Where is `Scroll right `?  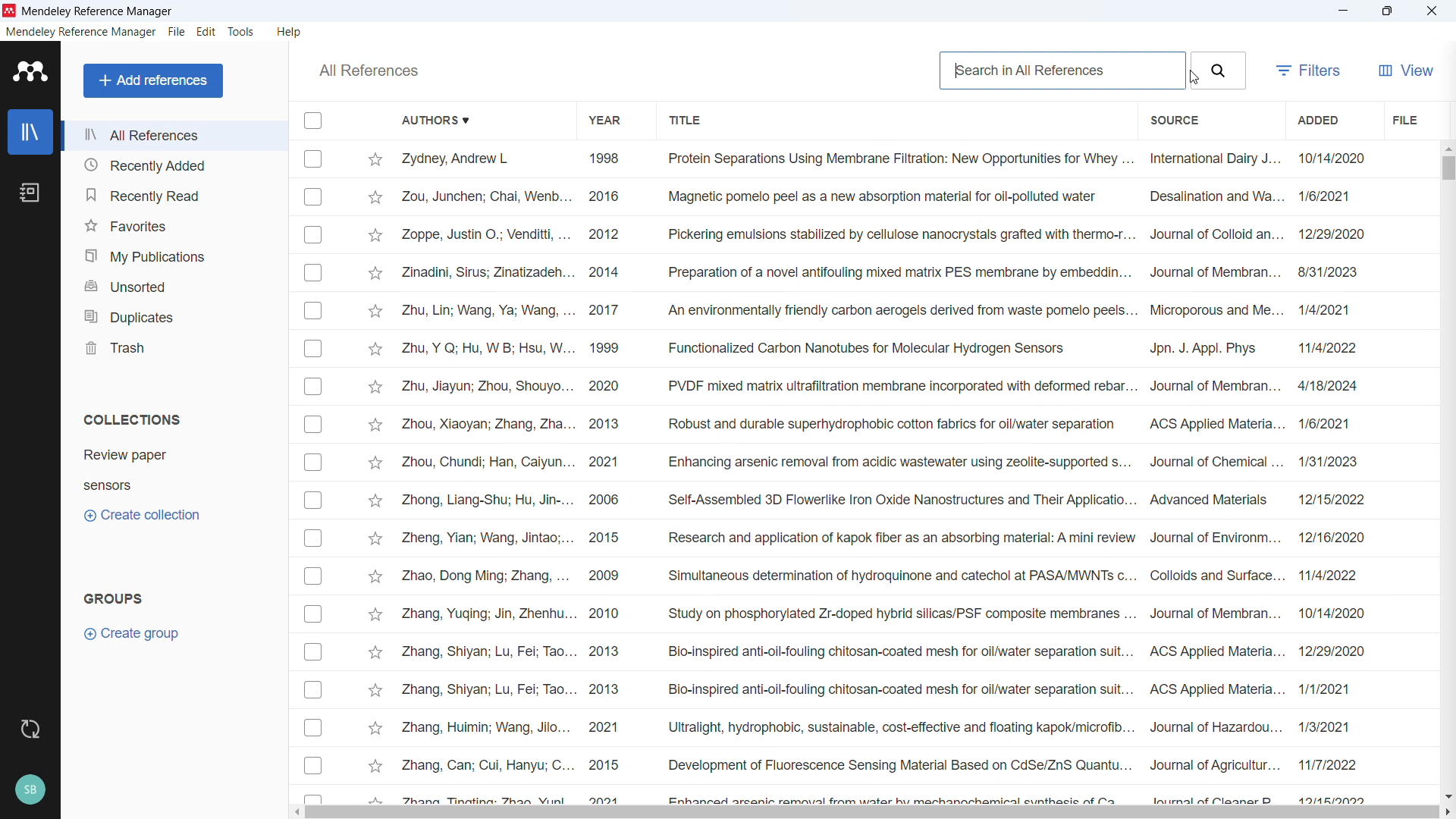
Scroll right  is located at coordinates (1447, 813).